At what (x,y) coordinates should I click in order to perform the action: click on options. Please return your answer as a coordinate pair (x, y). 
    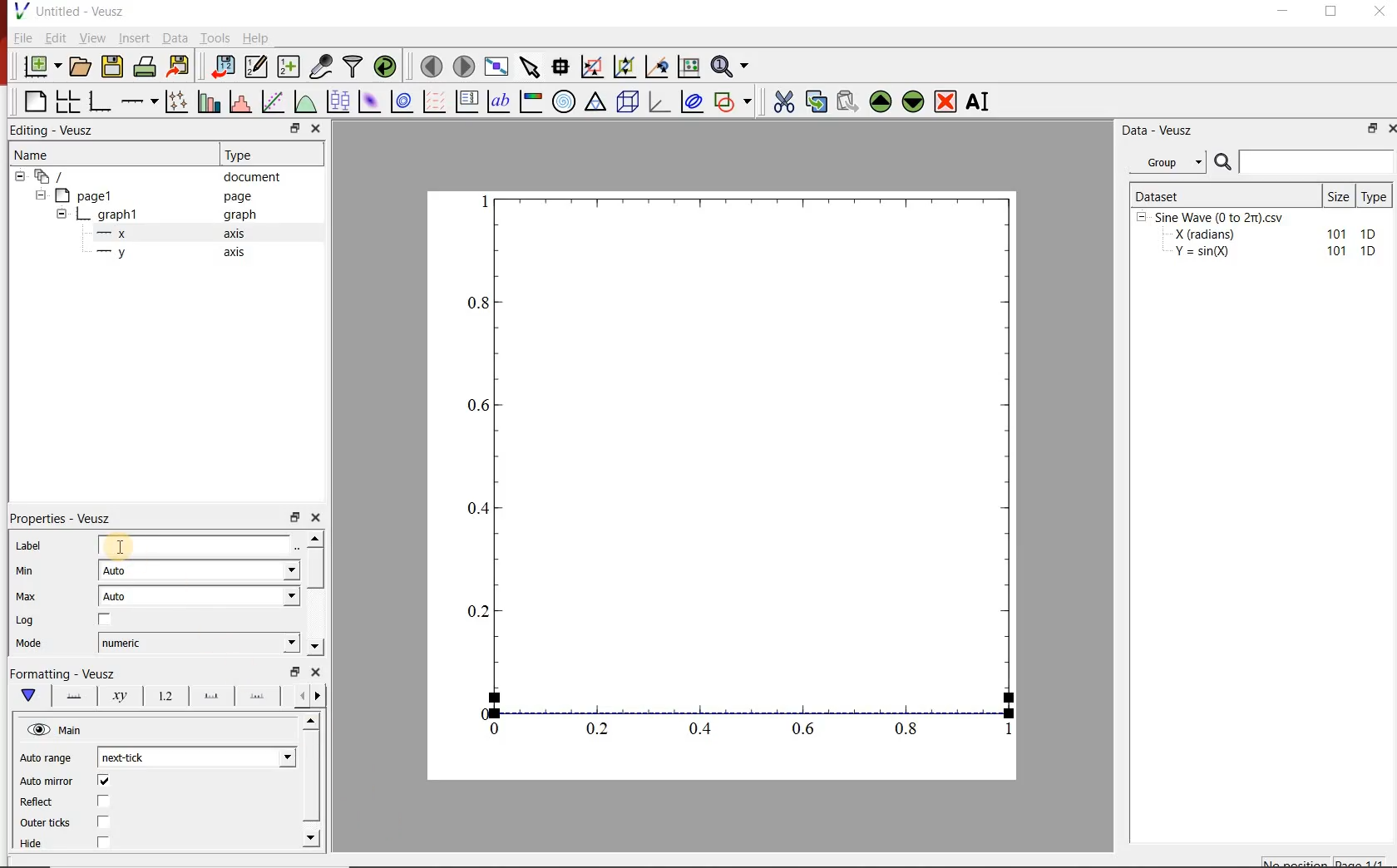
    Looking at the image, I should click on (208, 697).